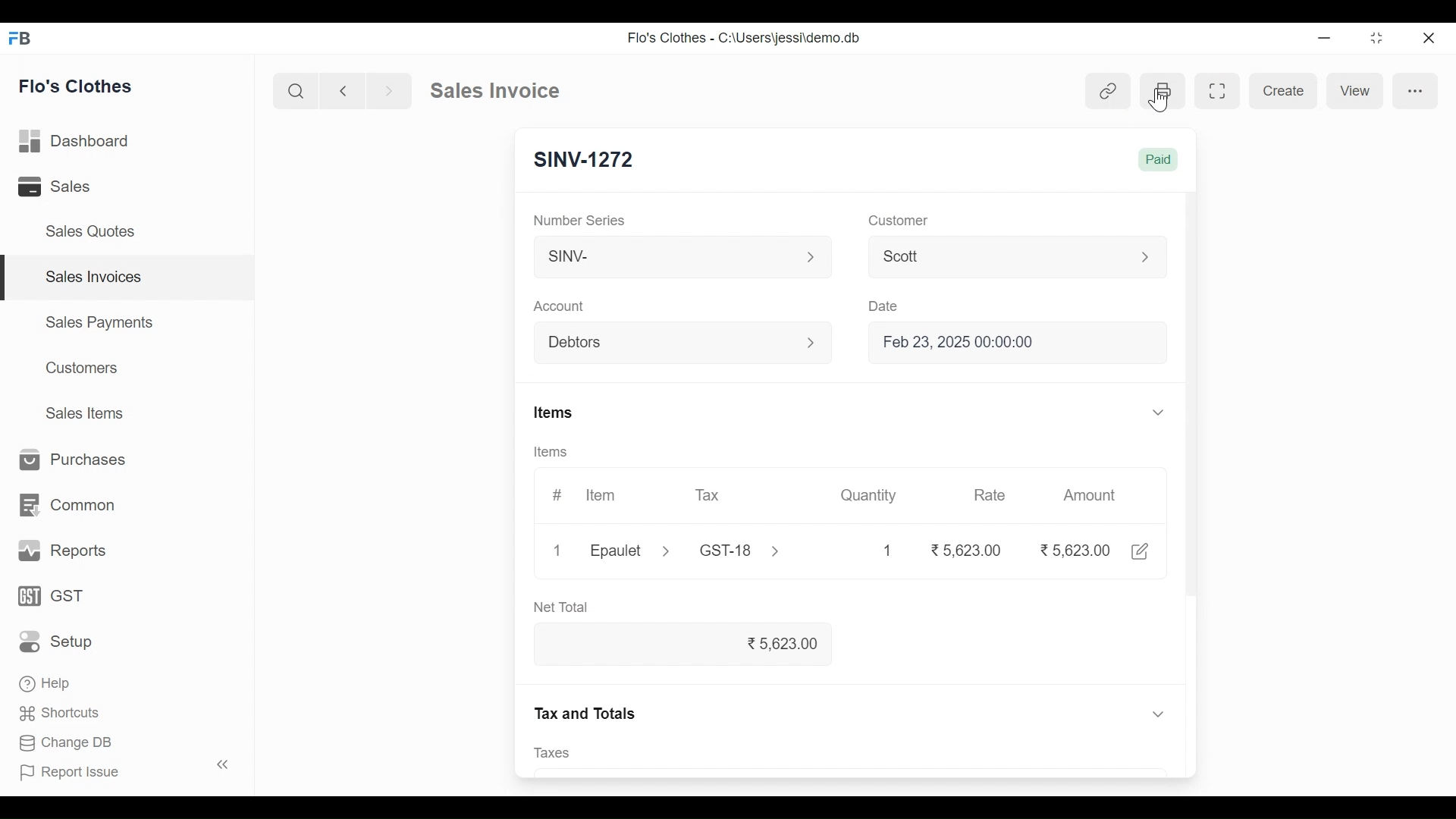 This screenshot has width=1456, height=819. Describe the element at coordinates (61, 187) in the screenshot. I see `Sales` at that location.